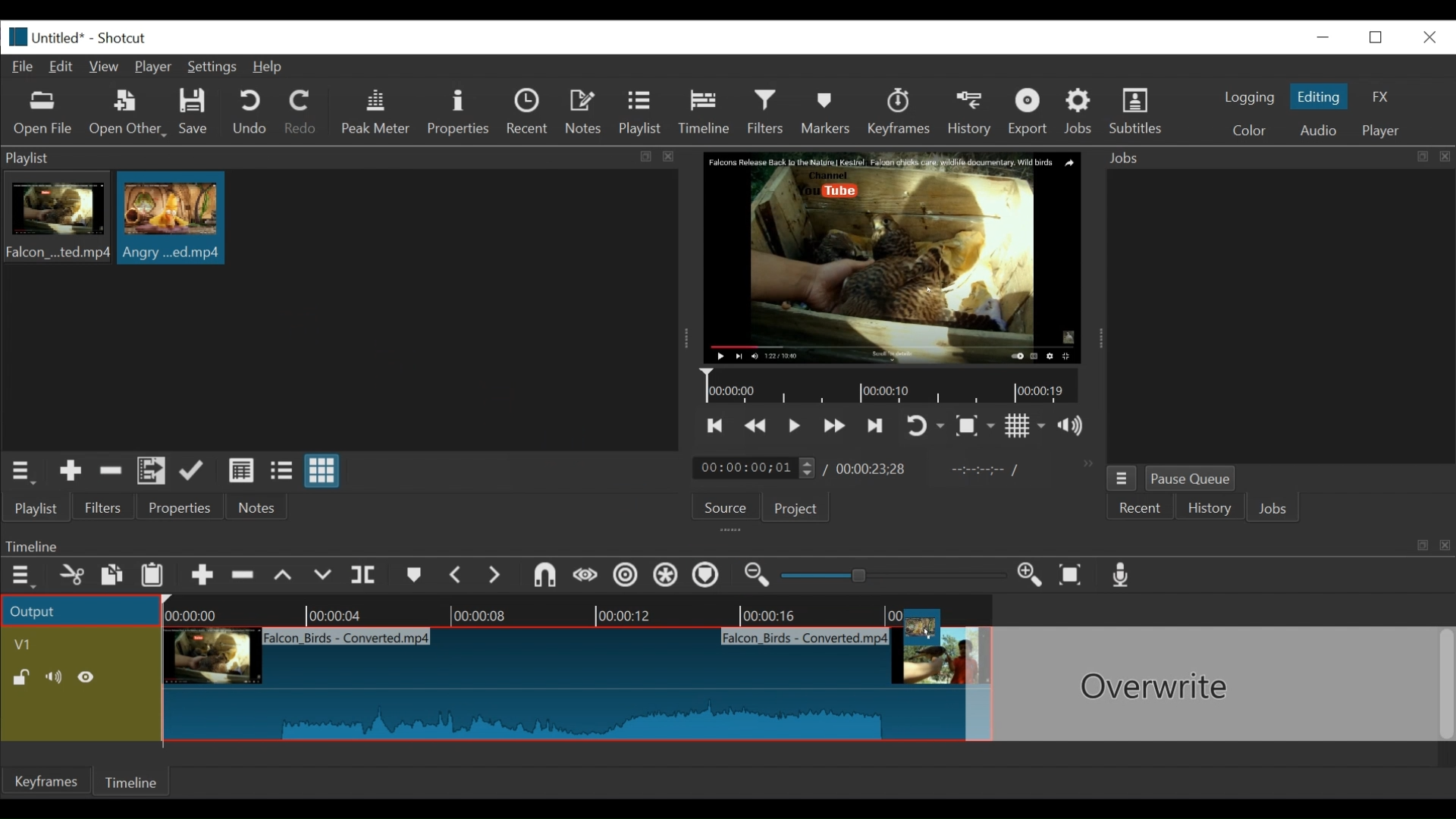  Describe the element at coordinates (972, 111) in the screenshot. I see `History` at that location.